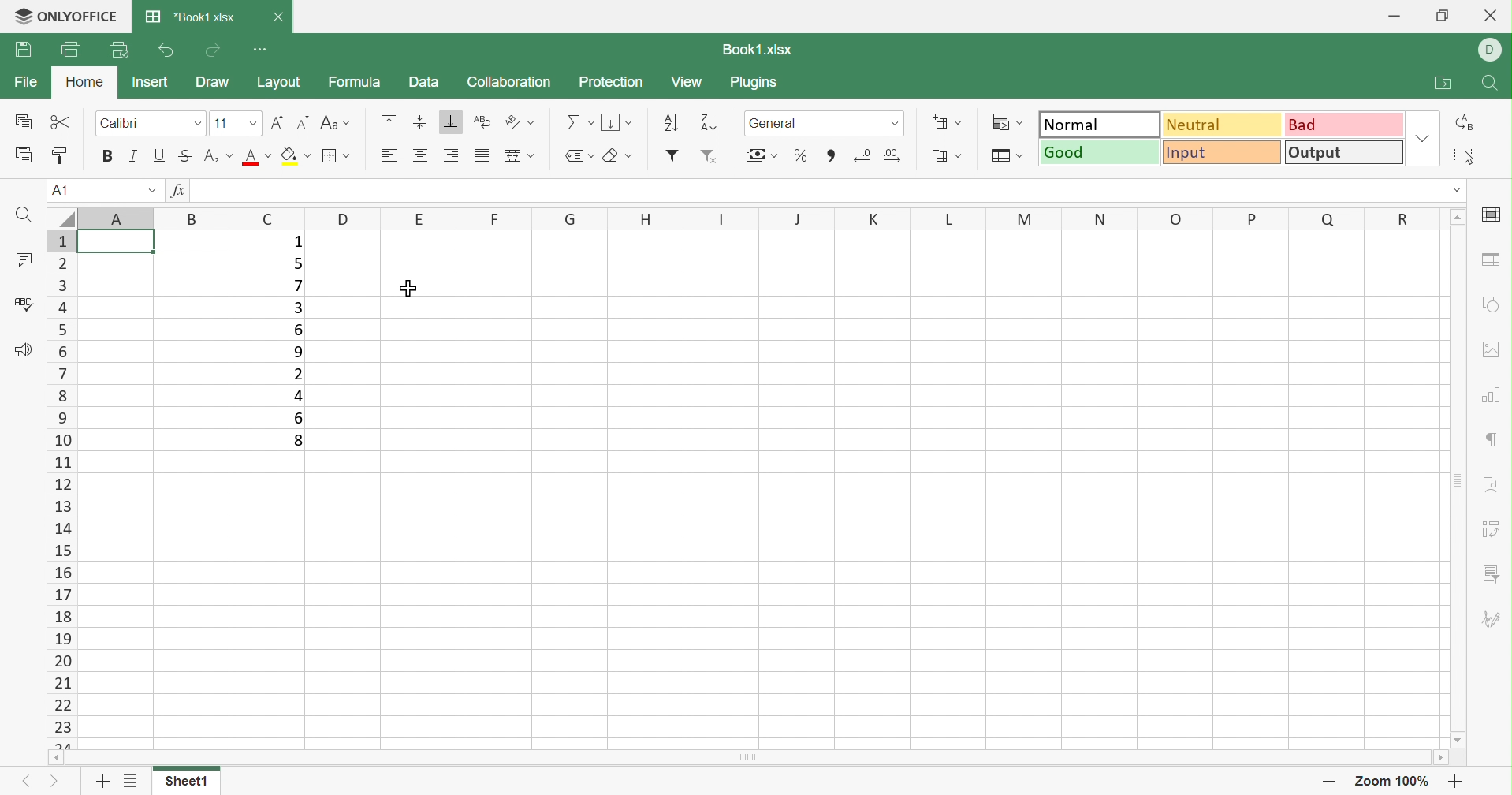 This screenshot has width=1512, height=795. What do you see at coordinates (23, 352) in the screenshot?
I see `Feedback & Support` at bounding box center [23, 352].